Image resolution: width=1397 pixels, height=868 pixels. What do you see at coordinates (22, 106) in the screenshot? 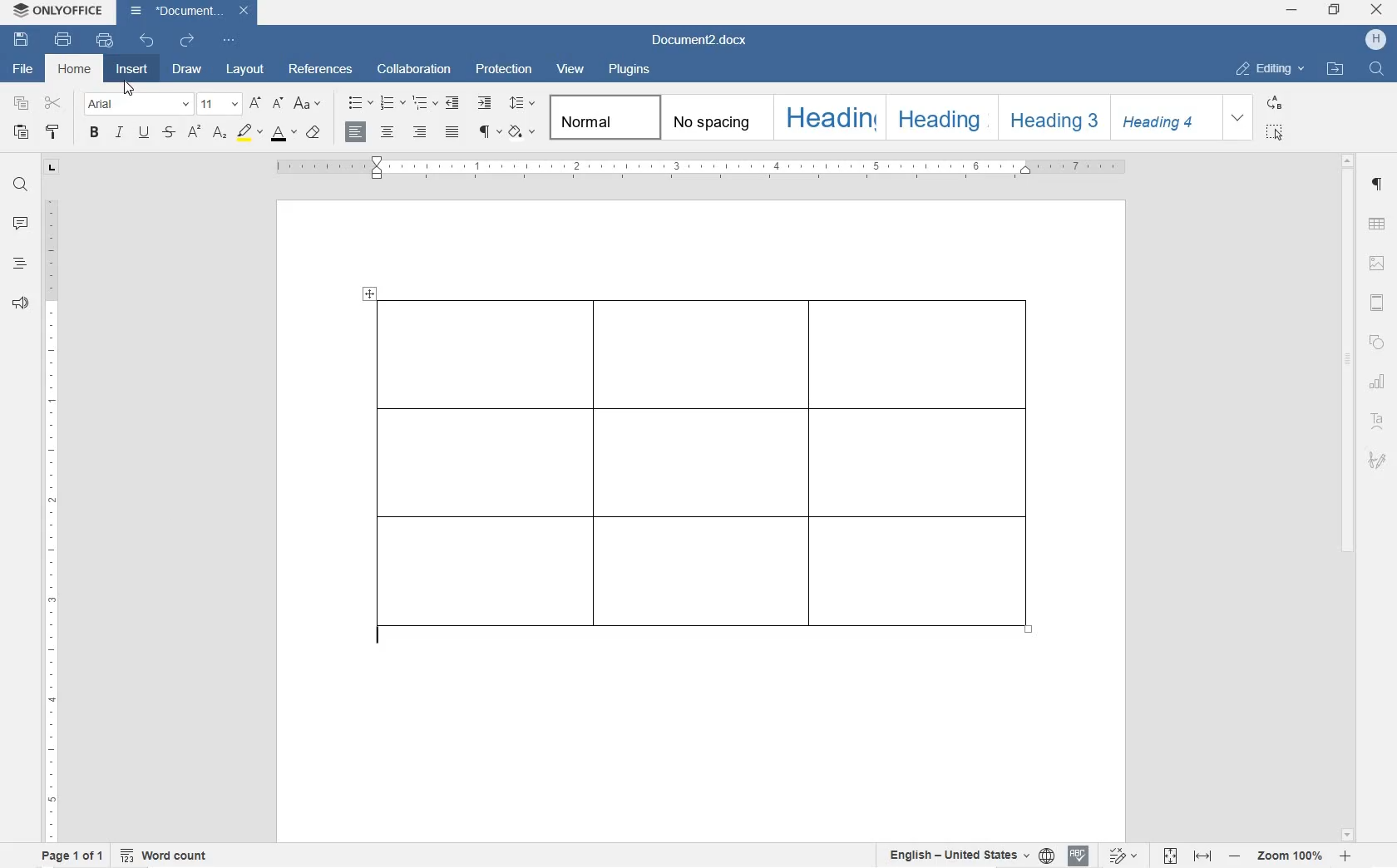
I see `copy` at bounding box center [22, 106].